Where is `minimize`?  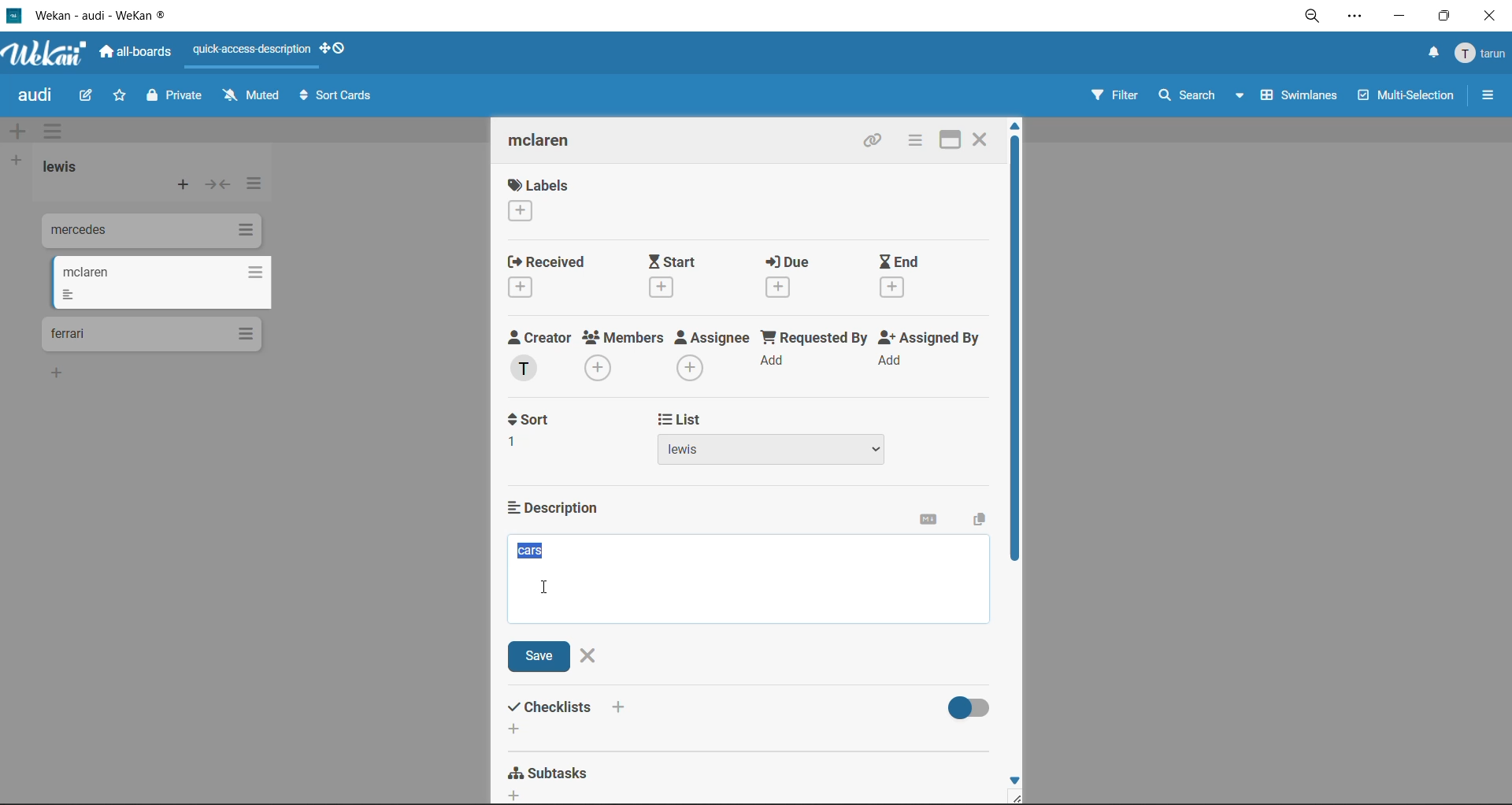
minimize is located at coordinates (1398, 14).